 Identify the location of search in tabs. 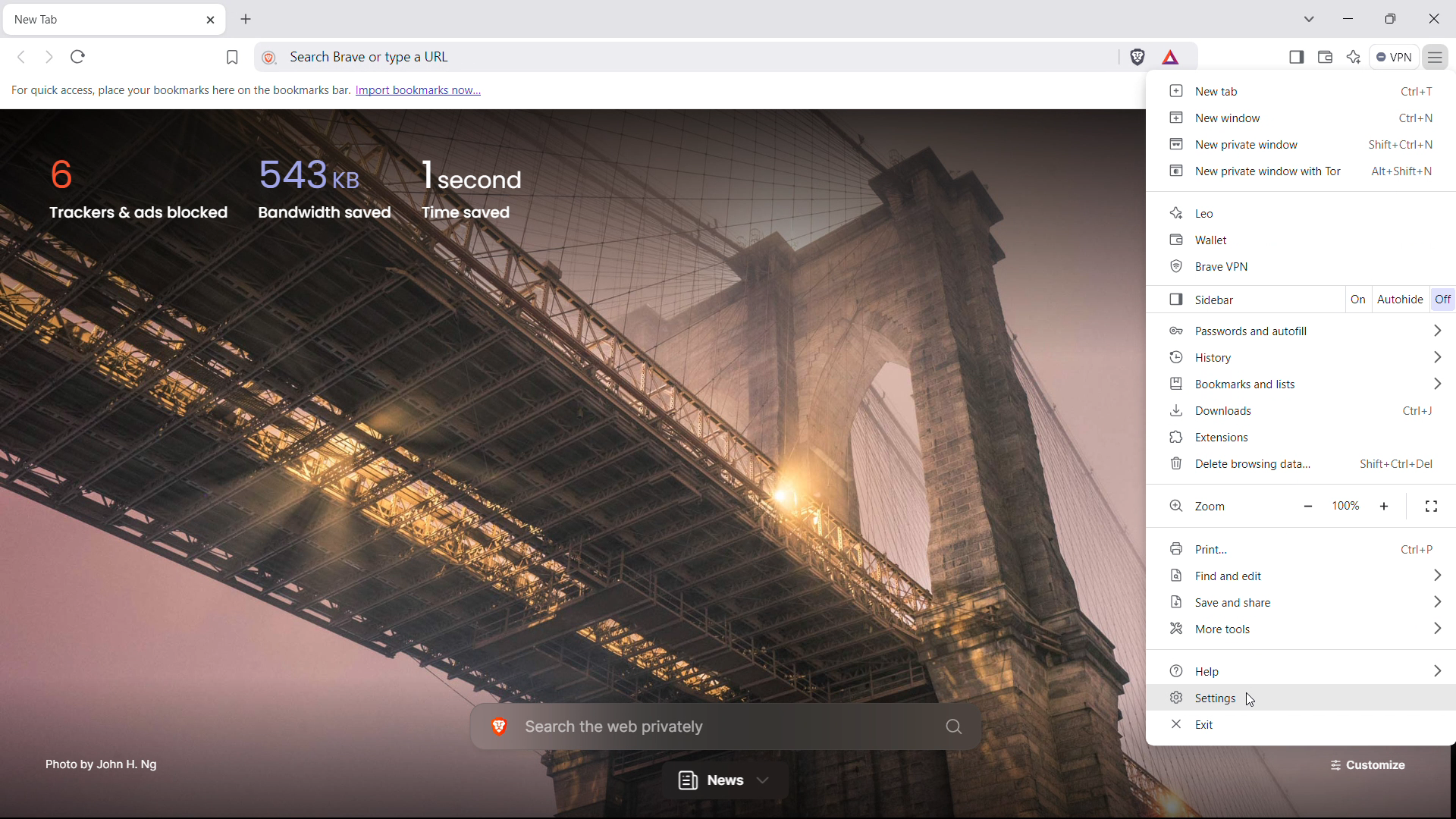
(1308, 17).